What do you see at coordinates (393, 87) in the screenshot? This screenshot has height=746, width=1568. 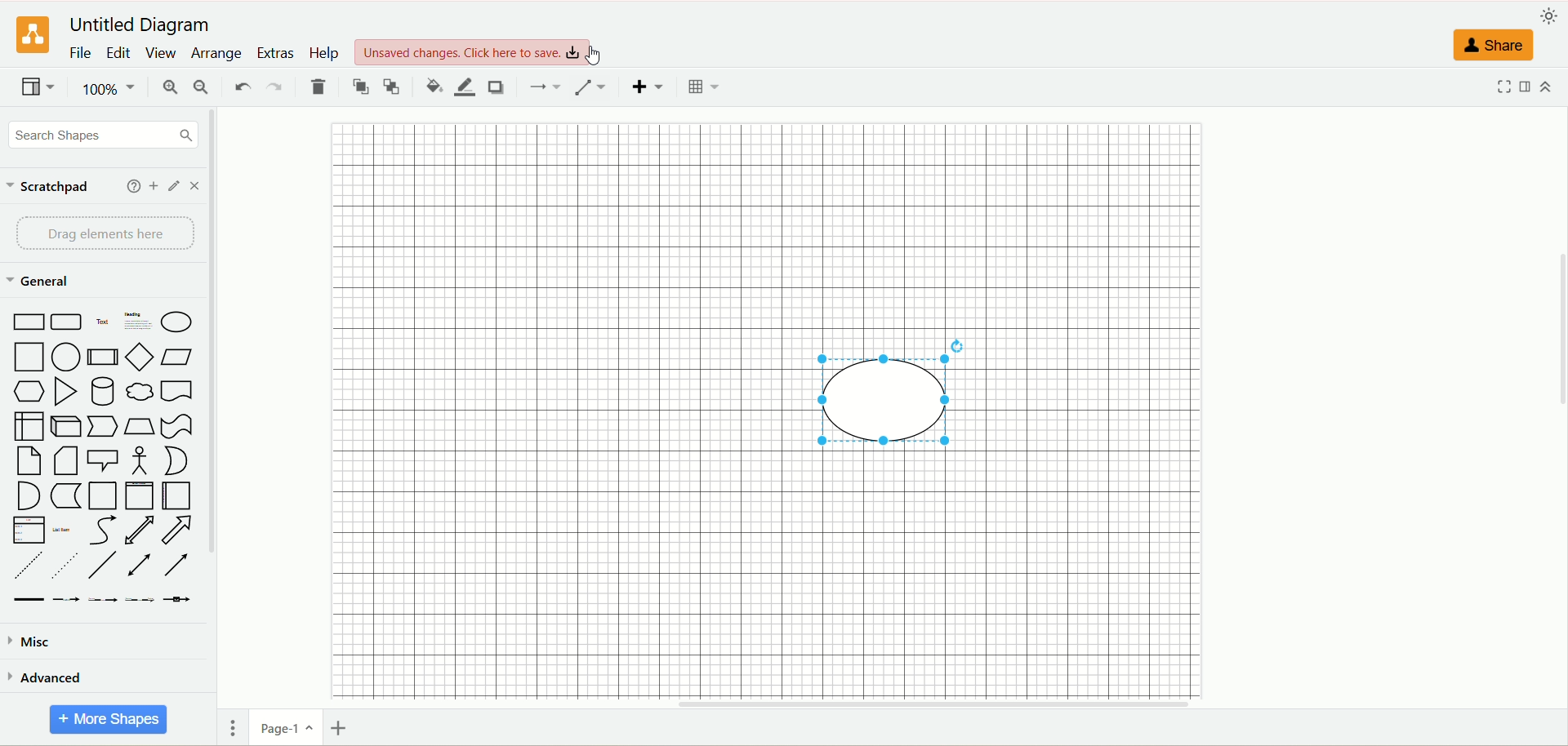 I see `to back` at bounding box center [393, 87].